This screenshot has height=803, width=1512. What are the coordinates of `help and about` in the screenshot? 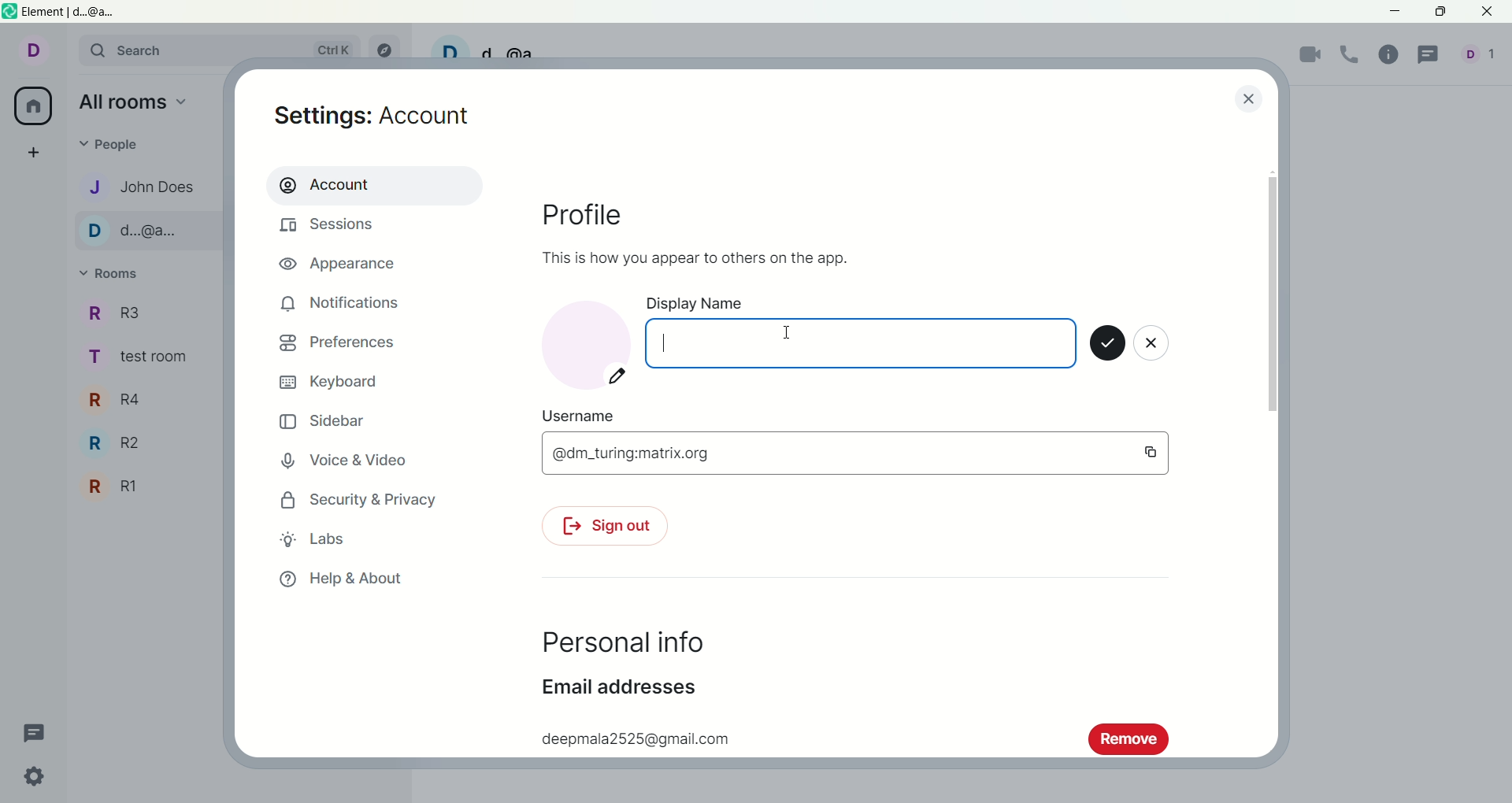 It's located at (341, 580).